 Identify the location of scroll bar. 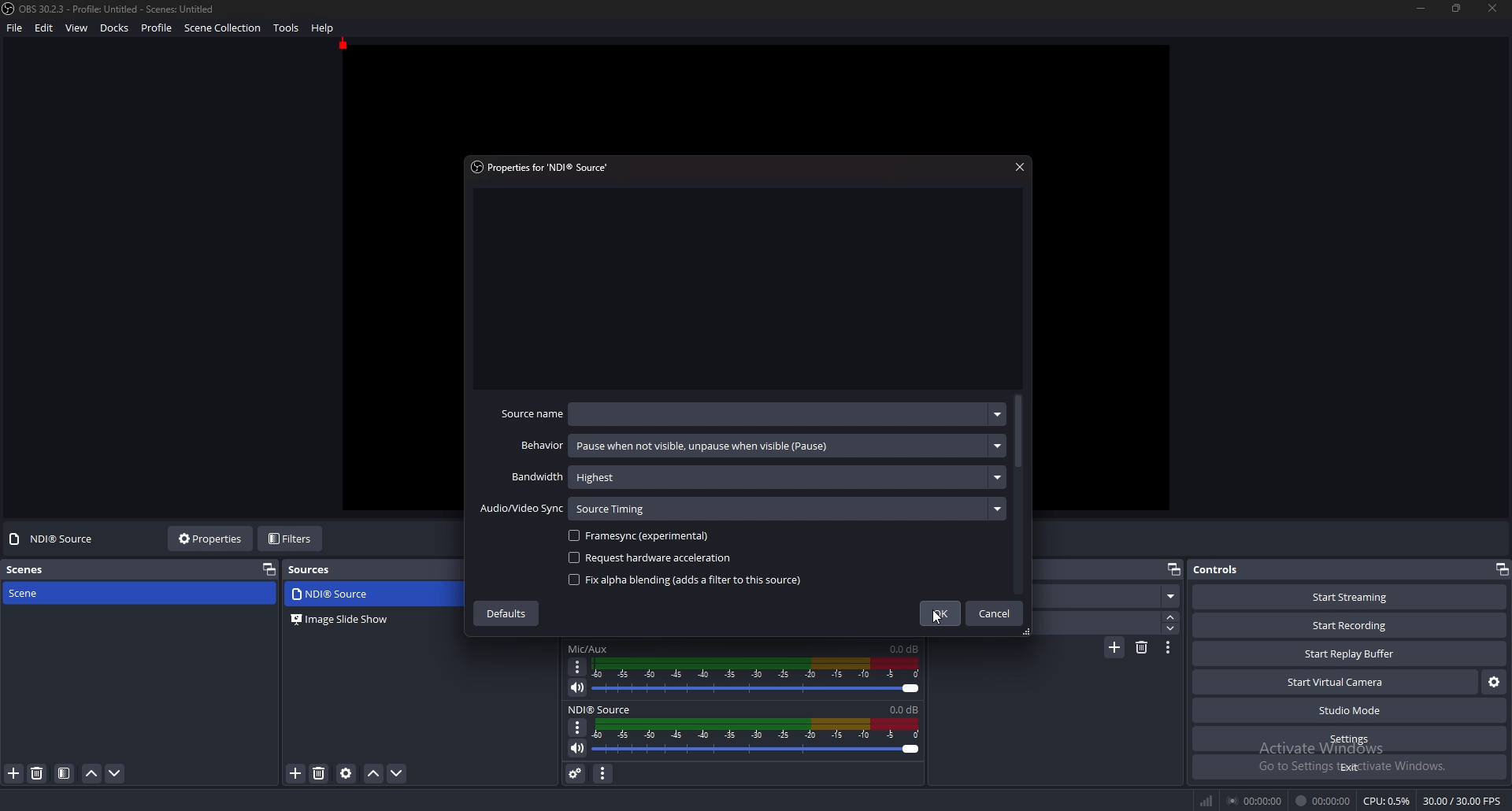
(1021, 428).